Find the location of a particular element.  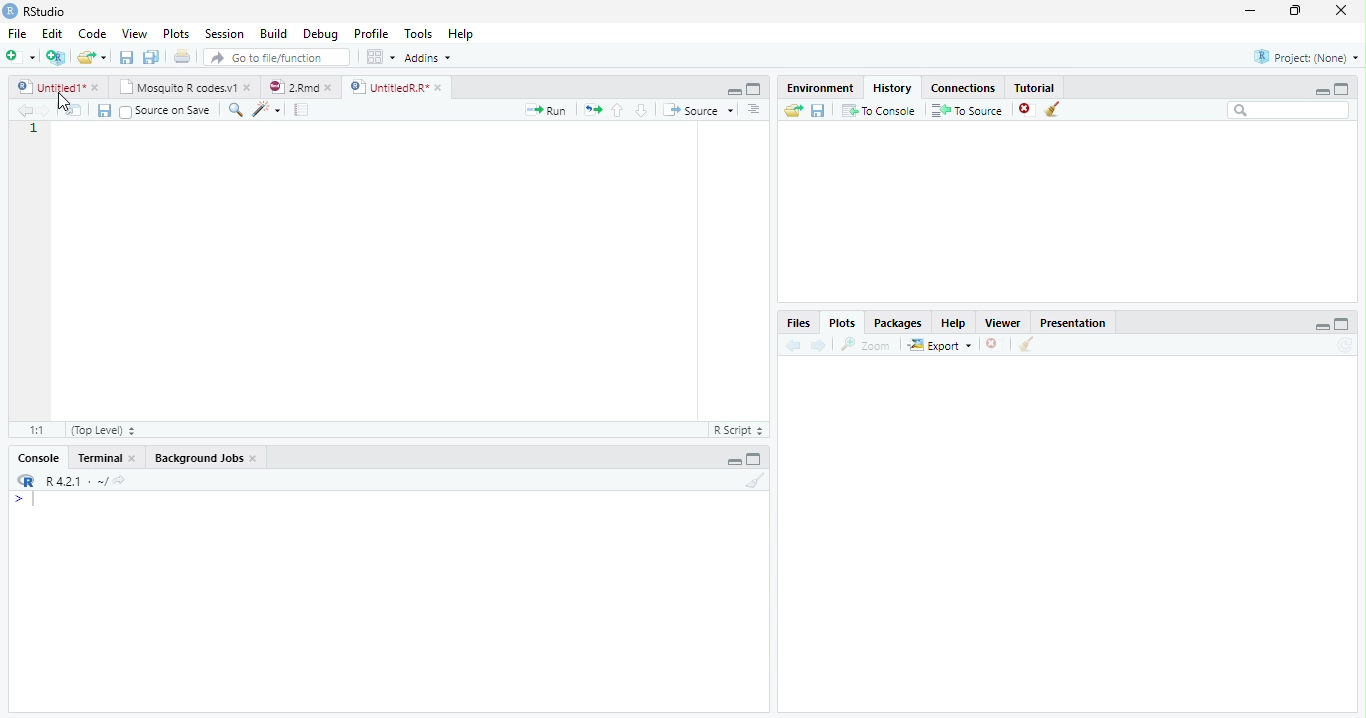

RStudio is located at coordinates (35, 12).